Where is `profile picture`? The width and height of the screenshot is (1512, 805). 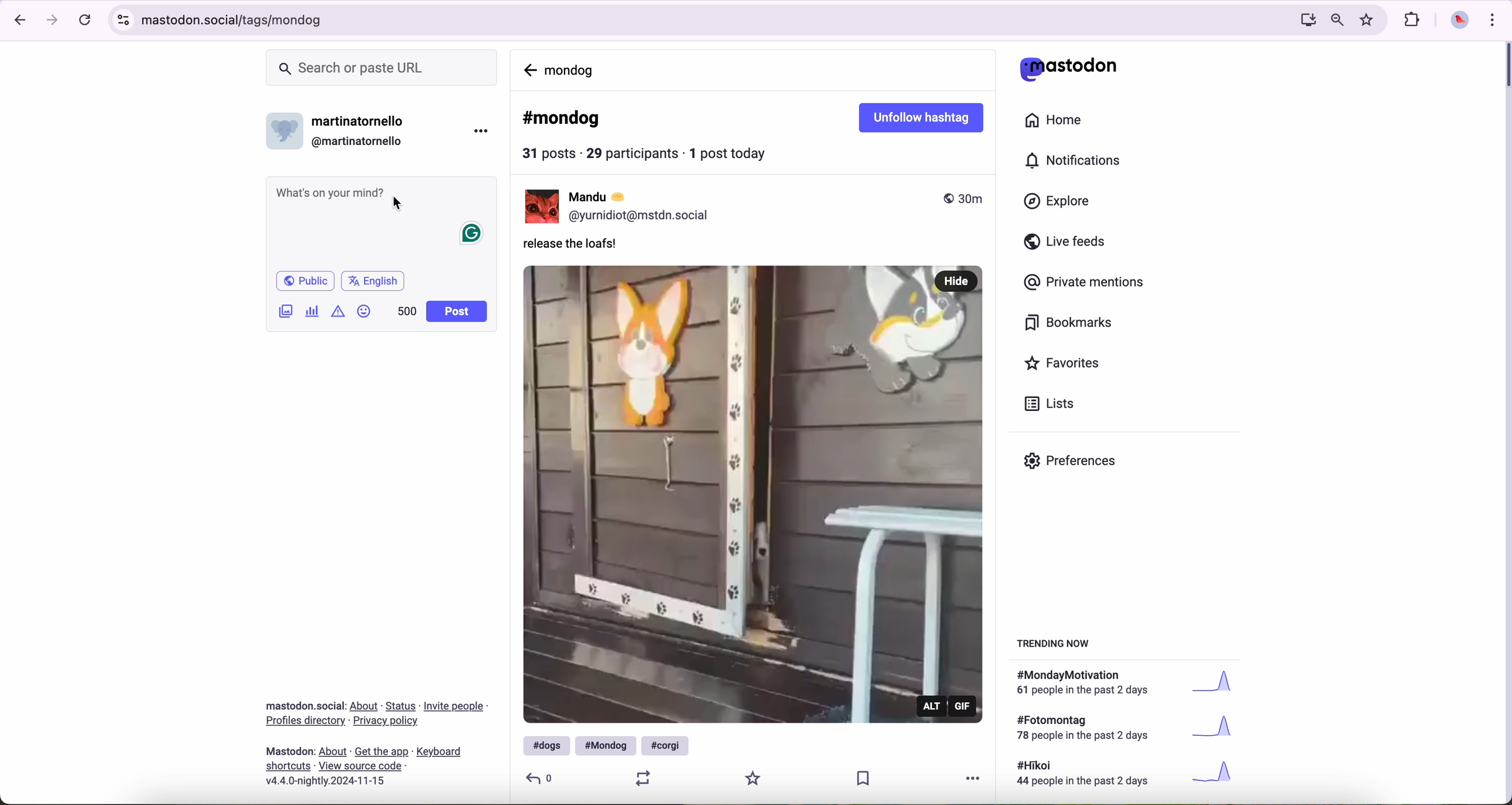
profile picture is located at coordinates (1460, 22).